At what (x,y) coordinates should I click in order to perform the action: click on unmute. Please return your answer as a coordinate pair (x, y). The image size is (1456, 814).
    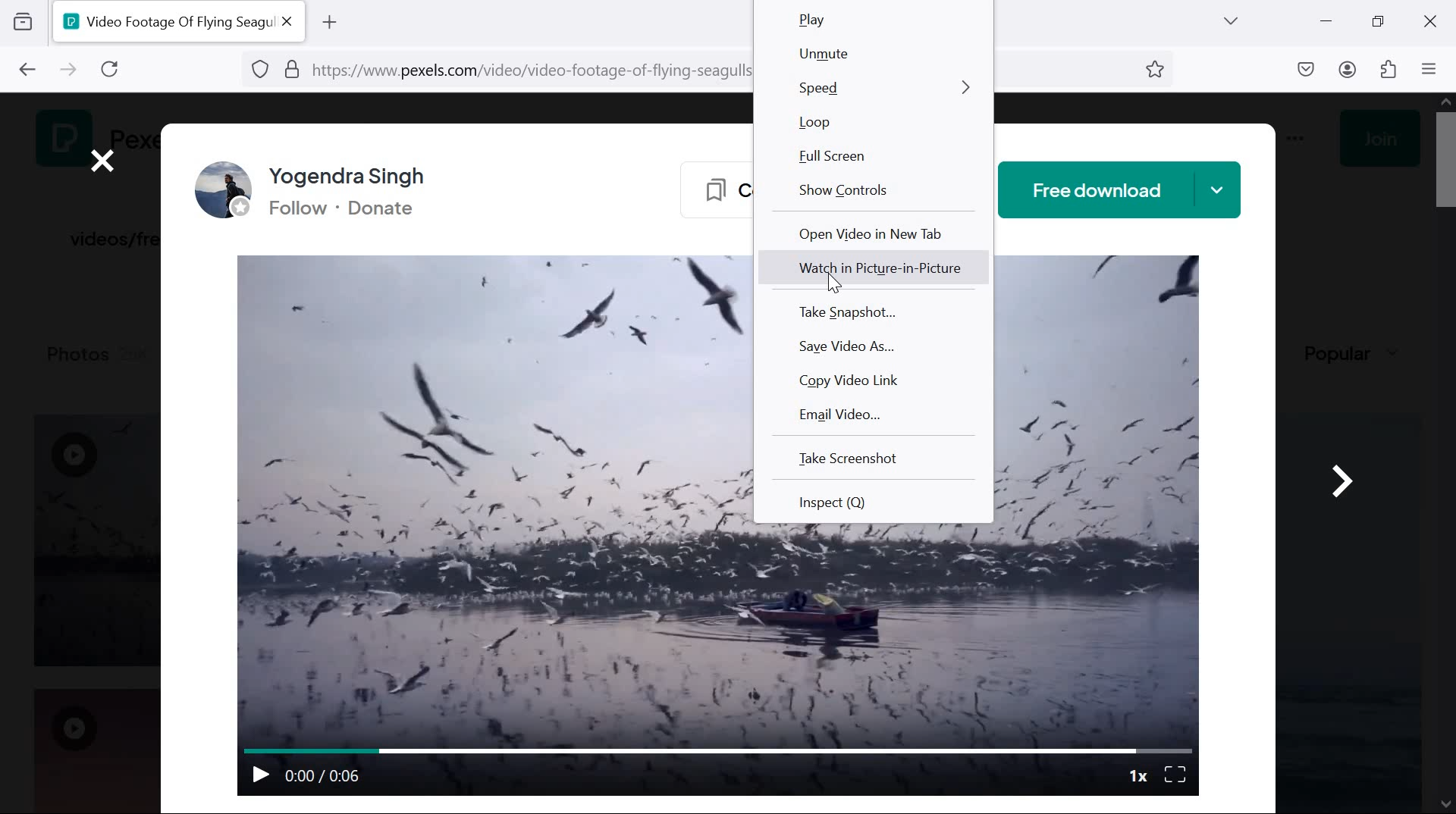
    Looking at the image, I should click on (875, 53).